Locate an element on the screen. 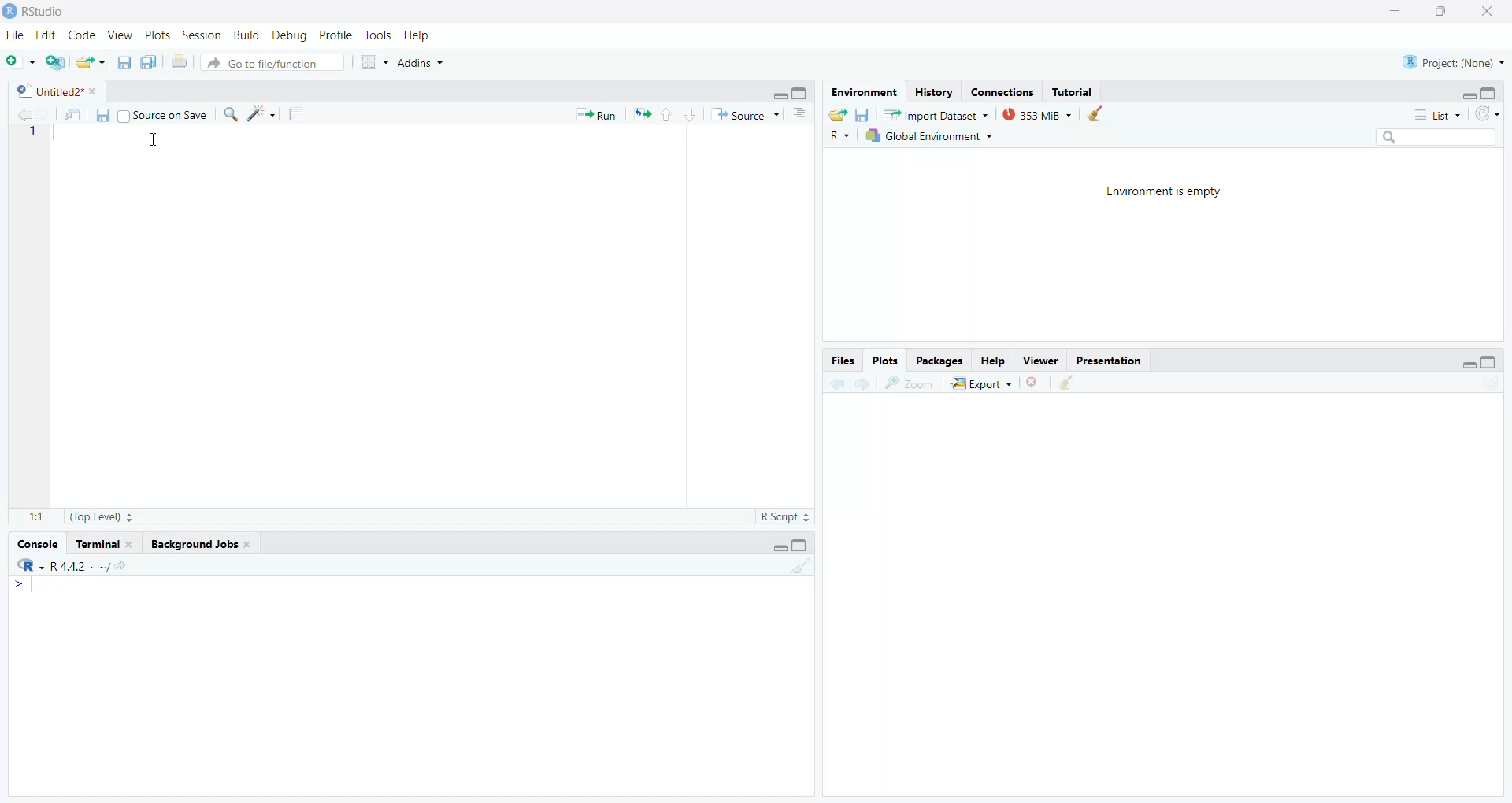 The width and height of the screenshot is (1512, 803). hide console is located at coordinates (800, 92).